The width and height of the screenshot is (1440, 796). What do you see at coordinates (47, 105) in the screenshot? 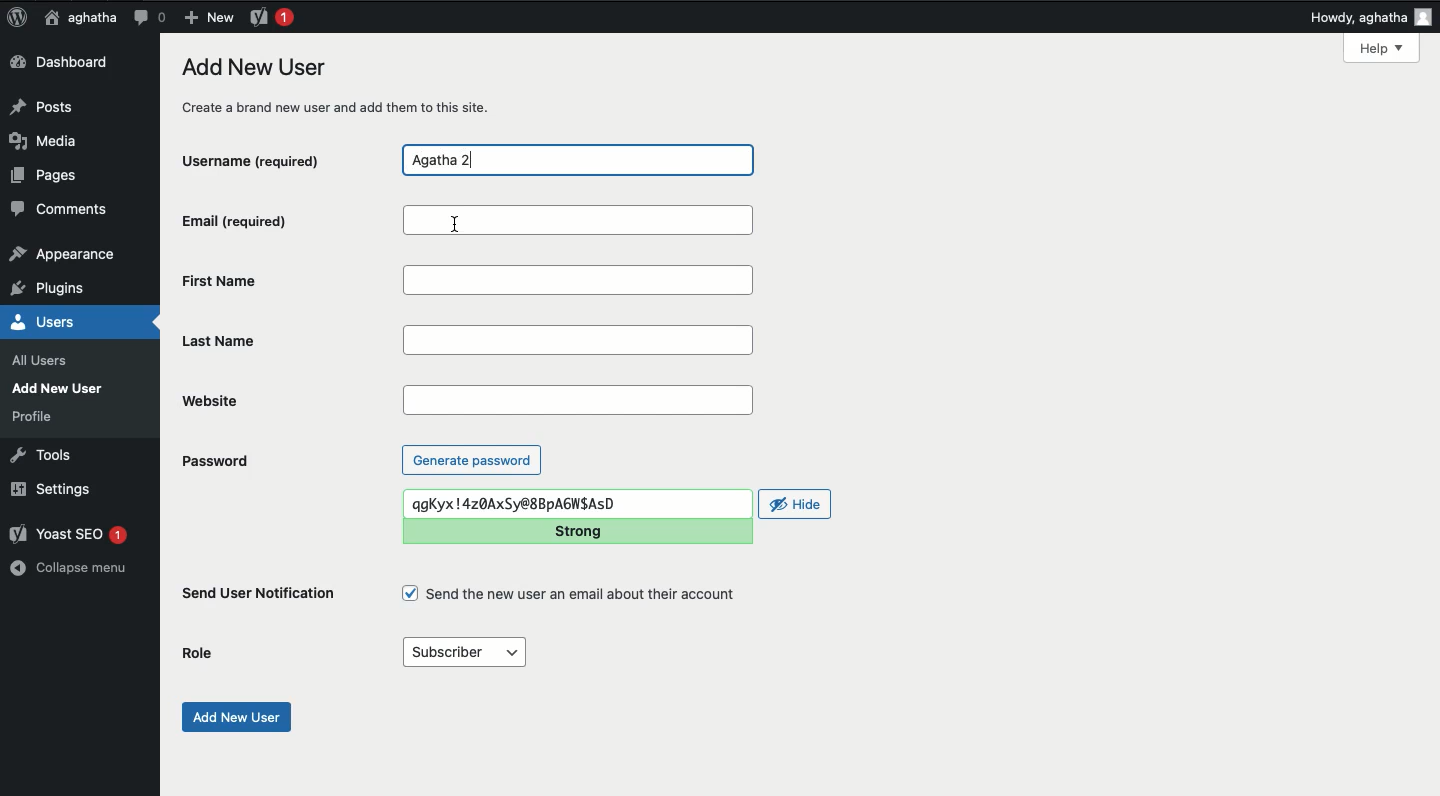
I see `Posts` at bounding box center [47, 105].